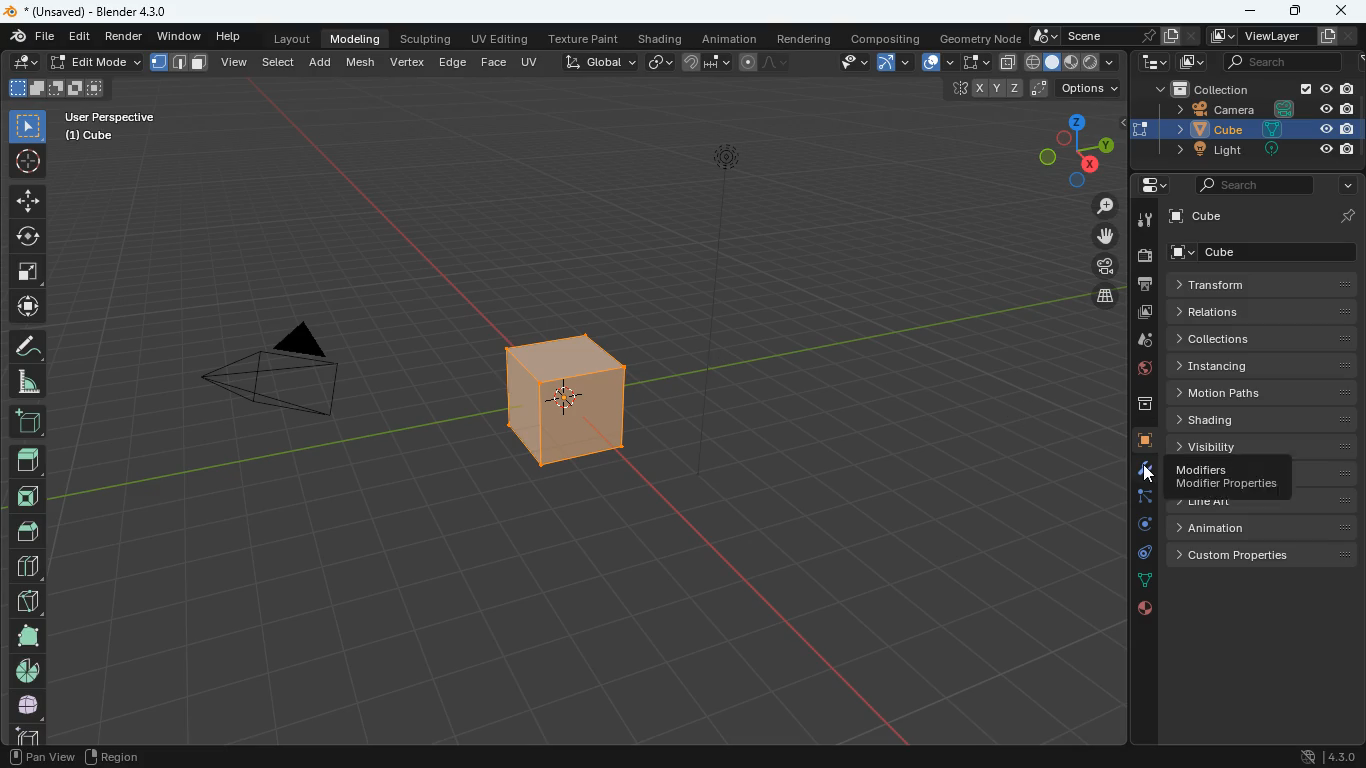 The width and height of the screenshot is (1366, 768). What do you see at coordinates (746, 195) in the screenshot?
I see `light` at bounding box center [746, 195].